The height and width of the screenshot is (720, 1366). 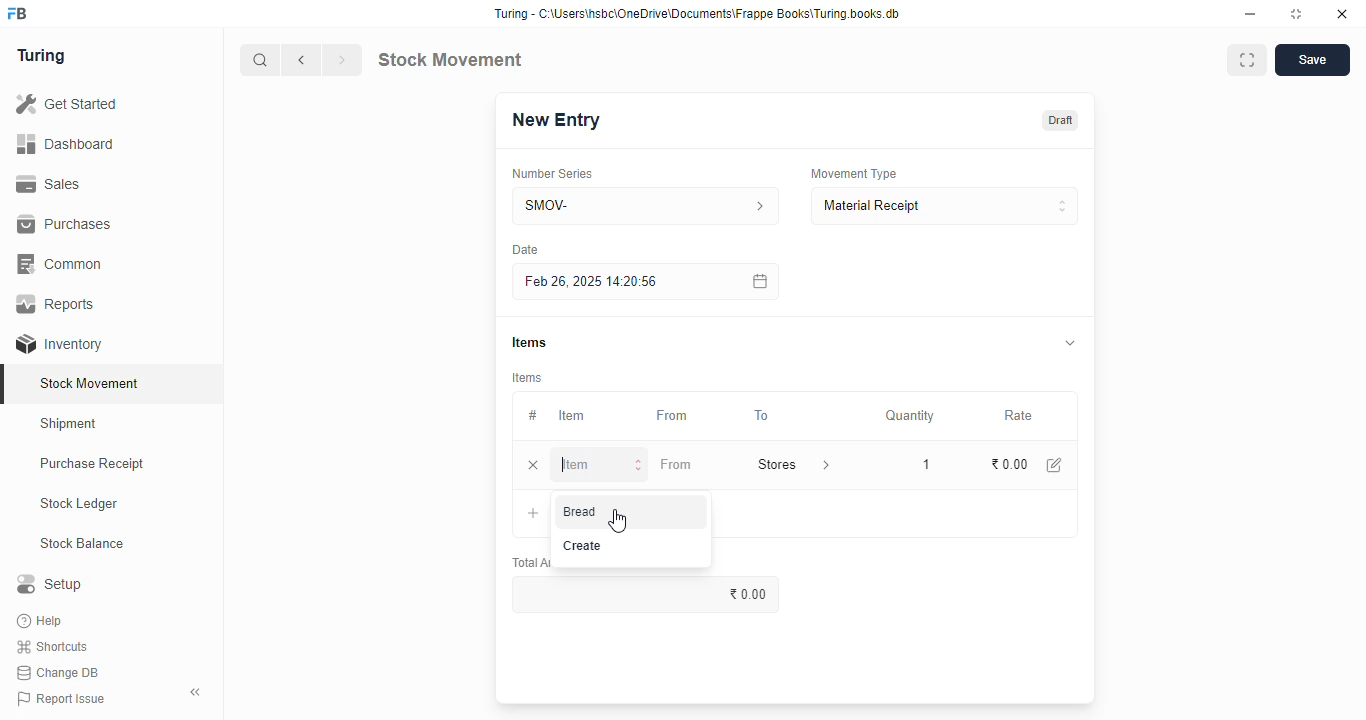 I want to click on rate, so click(x=1019, y=416).